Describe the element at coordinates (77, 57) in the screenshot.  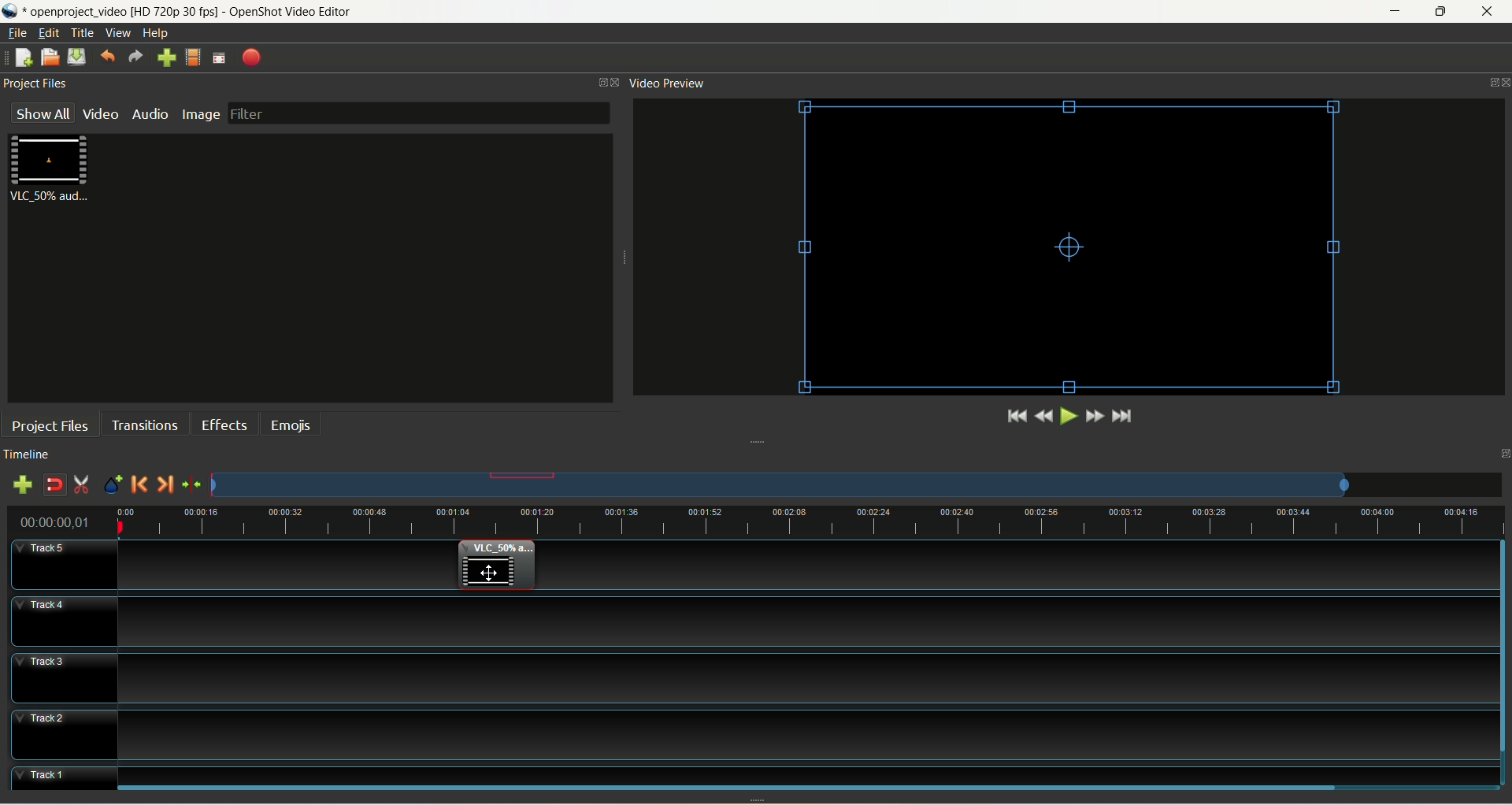
I see `save project` at that location.